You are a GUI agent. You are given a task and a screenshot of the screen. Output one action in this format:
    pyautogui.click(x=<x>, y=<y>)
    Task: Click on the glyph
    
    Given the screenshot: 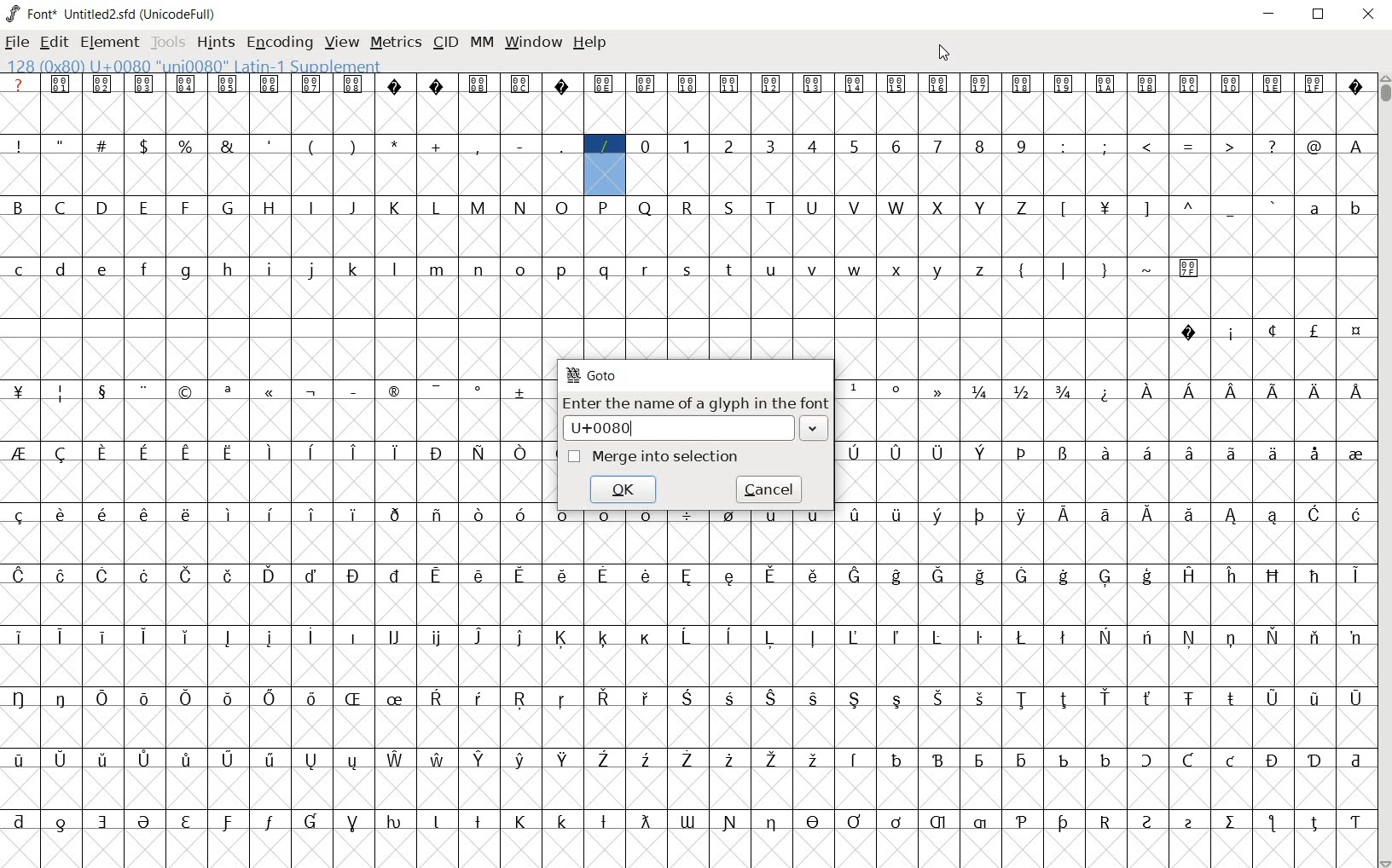 What is the action you would take?
    pyautogui.click(x=61, y=84)
    